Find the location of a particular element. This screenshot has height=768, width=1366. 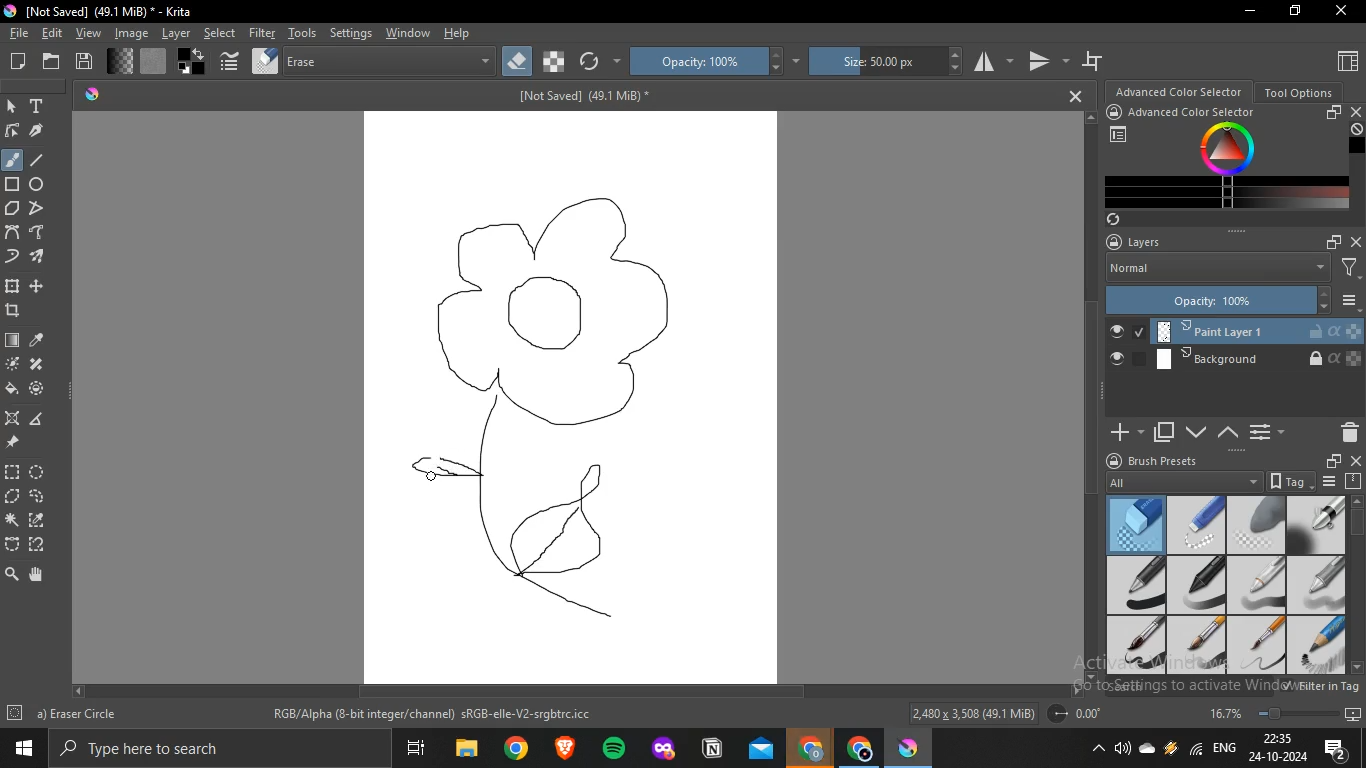

Filters is located at coordinates (1351, 269).